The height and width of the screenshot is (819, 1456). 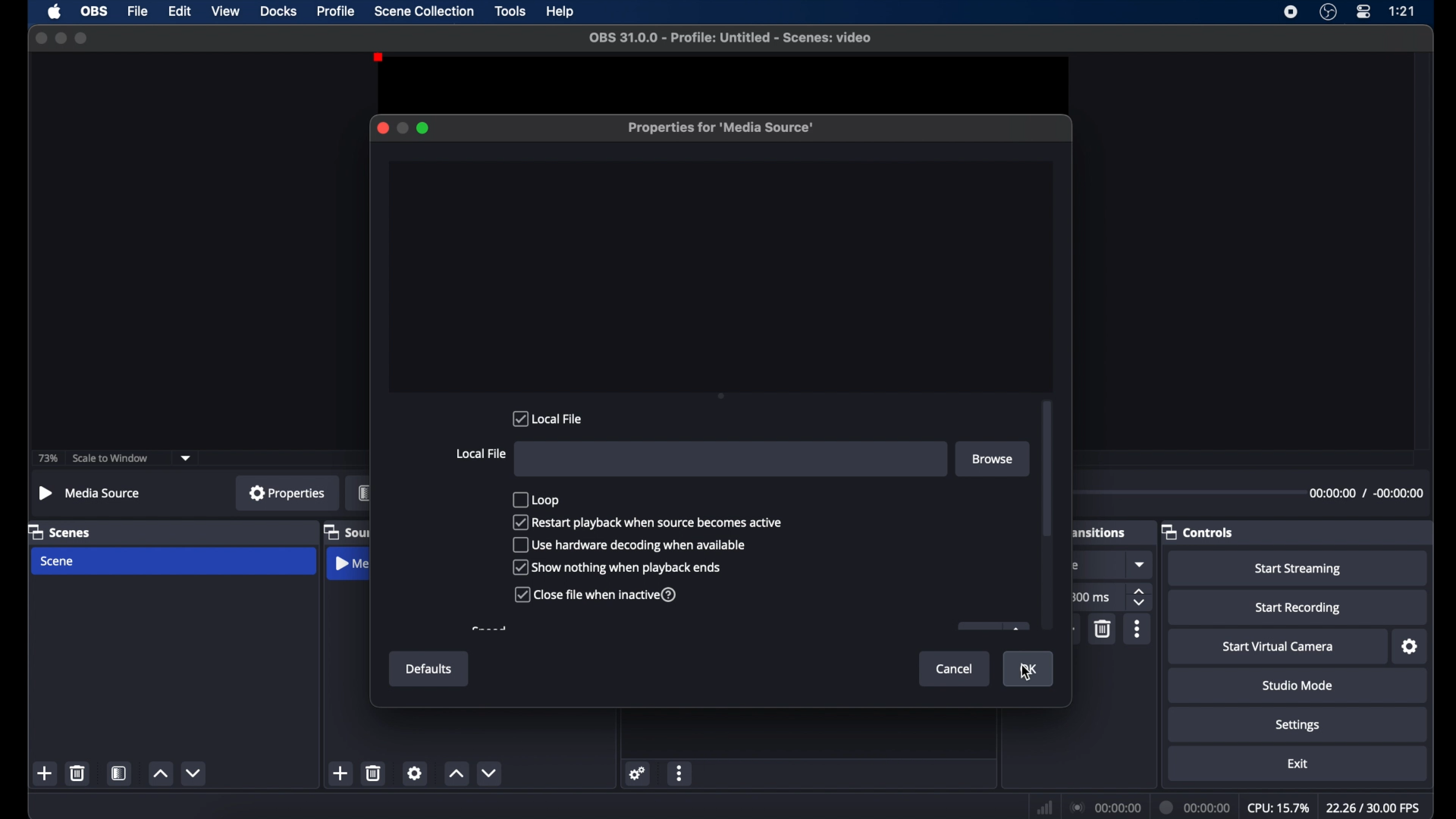 What do you see at coordinates (637, 773) in the screenshot?
I see `settings` at bounding box center [637, 773].